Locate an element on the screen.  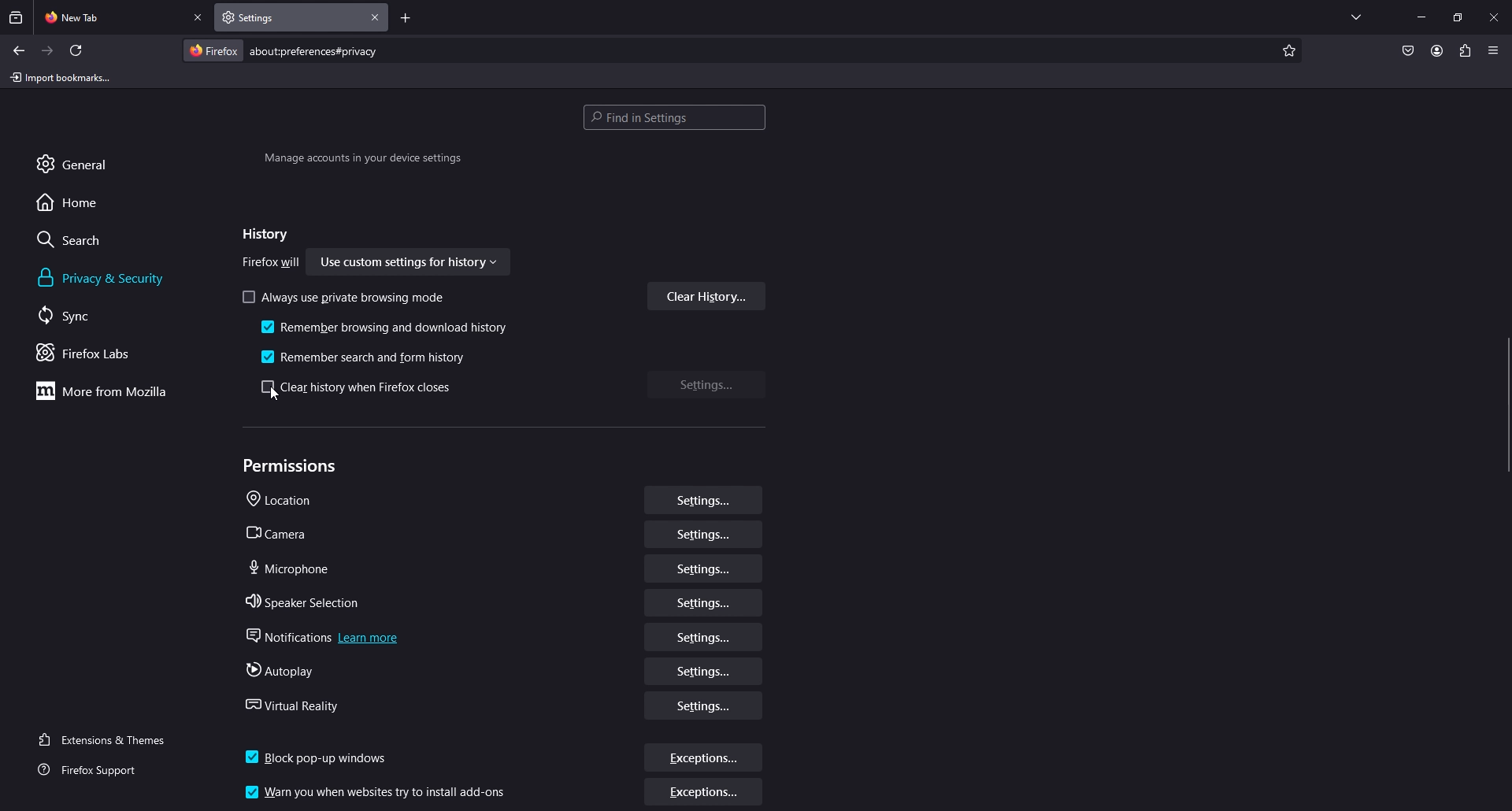
microphone is located at coordinates (291, 566).